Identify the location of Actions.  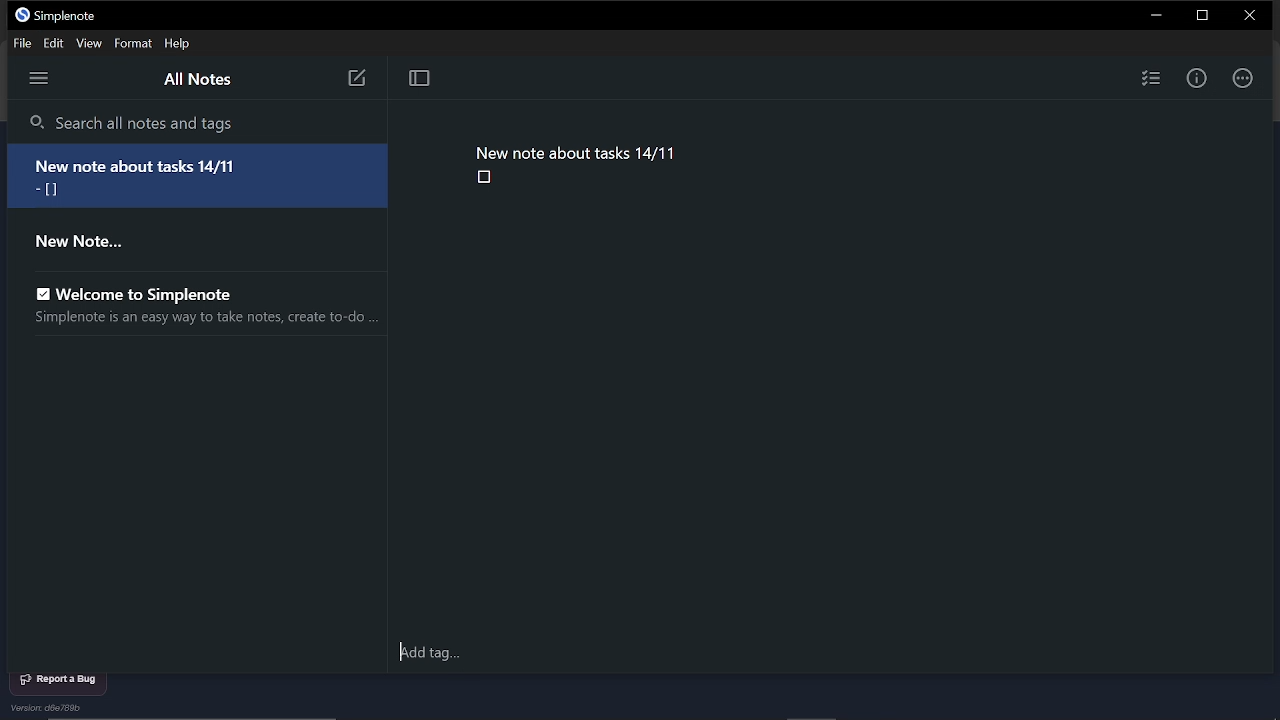
(1244, 76).